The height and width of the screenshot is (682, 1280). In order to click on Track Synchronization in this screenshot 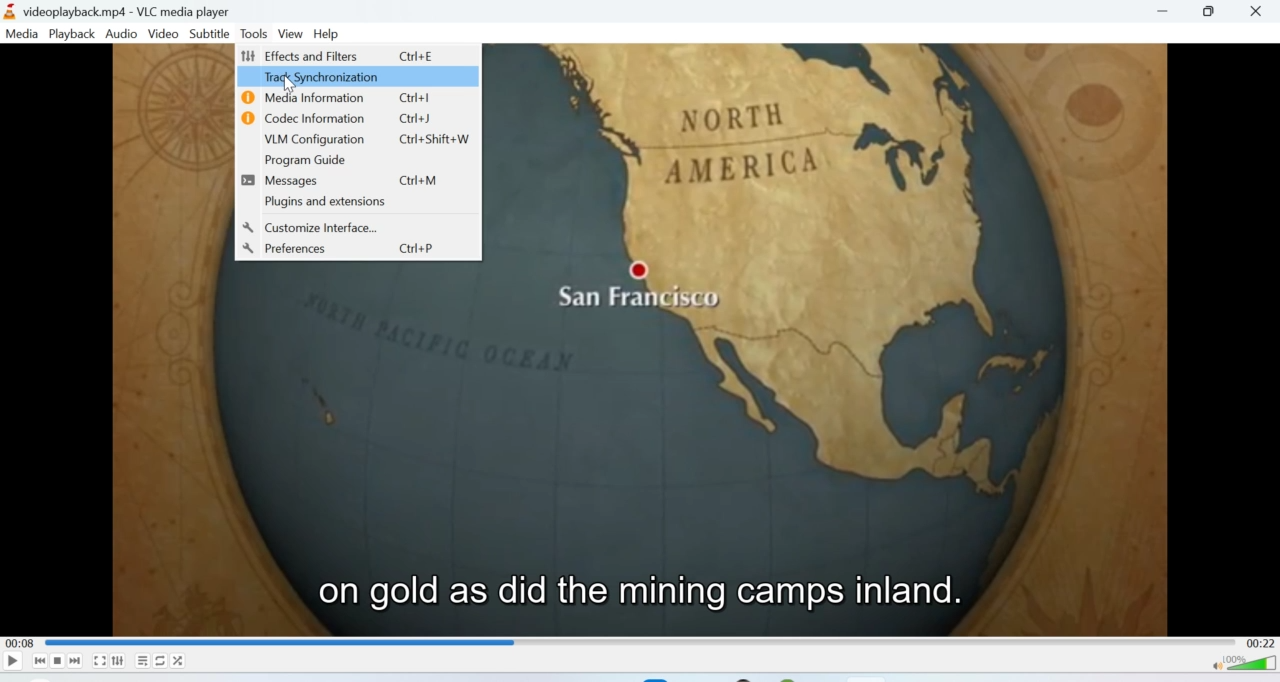, I will do `click(334, 77)`.